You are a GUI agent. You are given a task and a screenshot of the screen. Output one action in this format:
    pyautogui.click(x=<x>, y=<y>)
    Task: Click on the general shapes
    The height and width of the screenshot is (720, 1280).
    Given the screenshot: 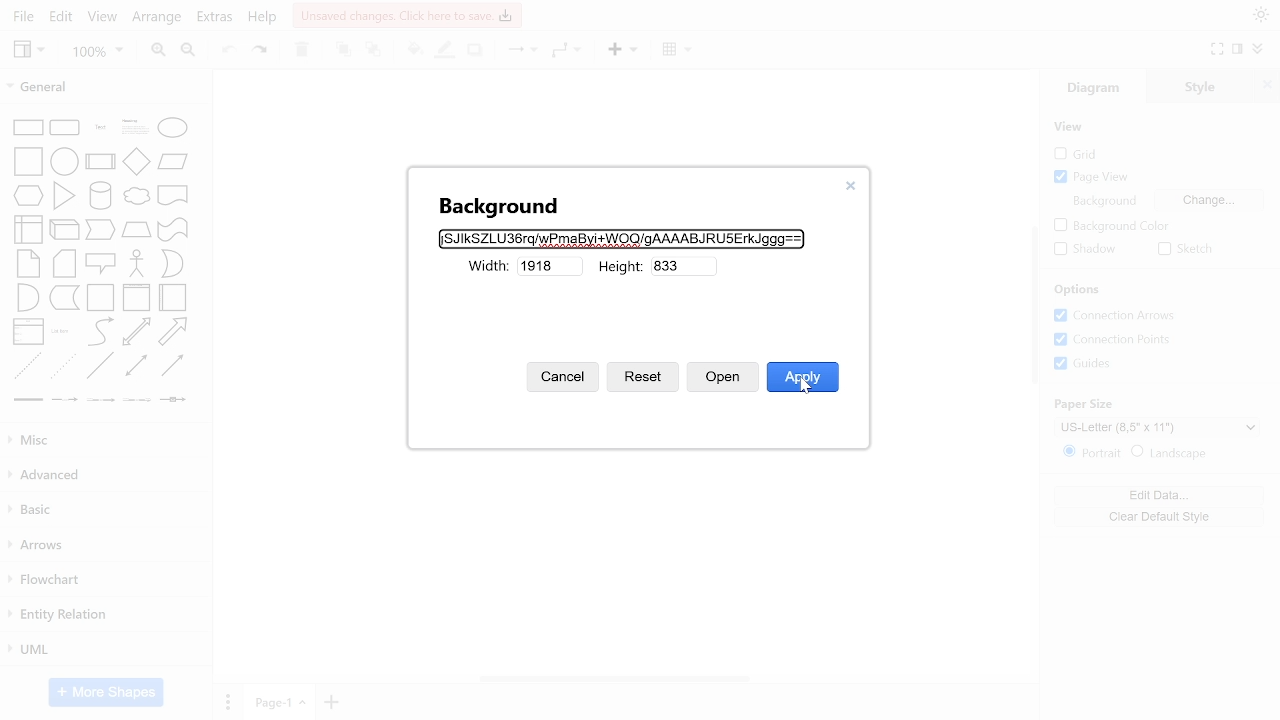 What is the action you would take?
    pyautogui.click(x=63, y=400)
    